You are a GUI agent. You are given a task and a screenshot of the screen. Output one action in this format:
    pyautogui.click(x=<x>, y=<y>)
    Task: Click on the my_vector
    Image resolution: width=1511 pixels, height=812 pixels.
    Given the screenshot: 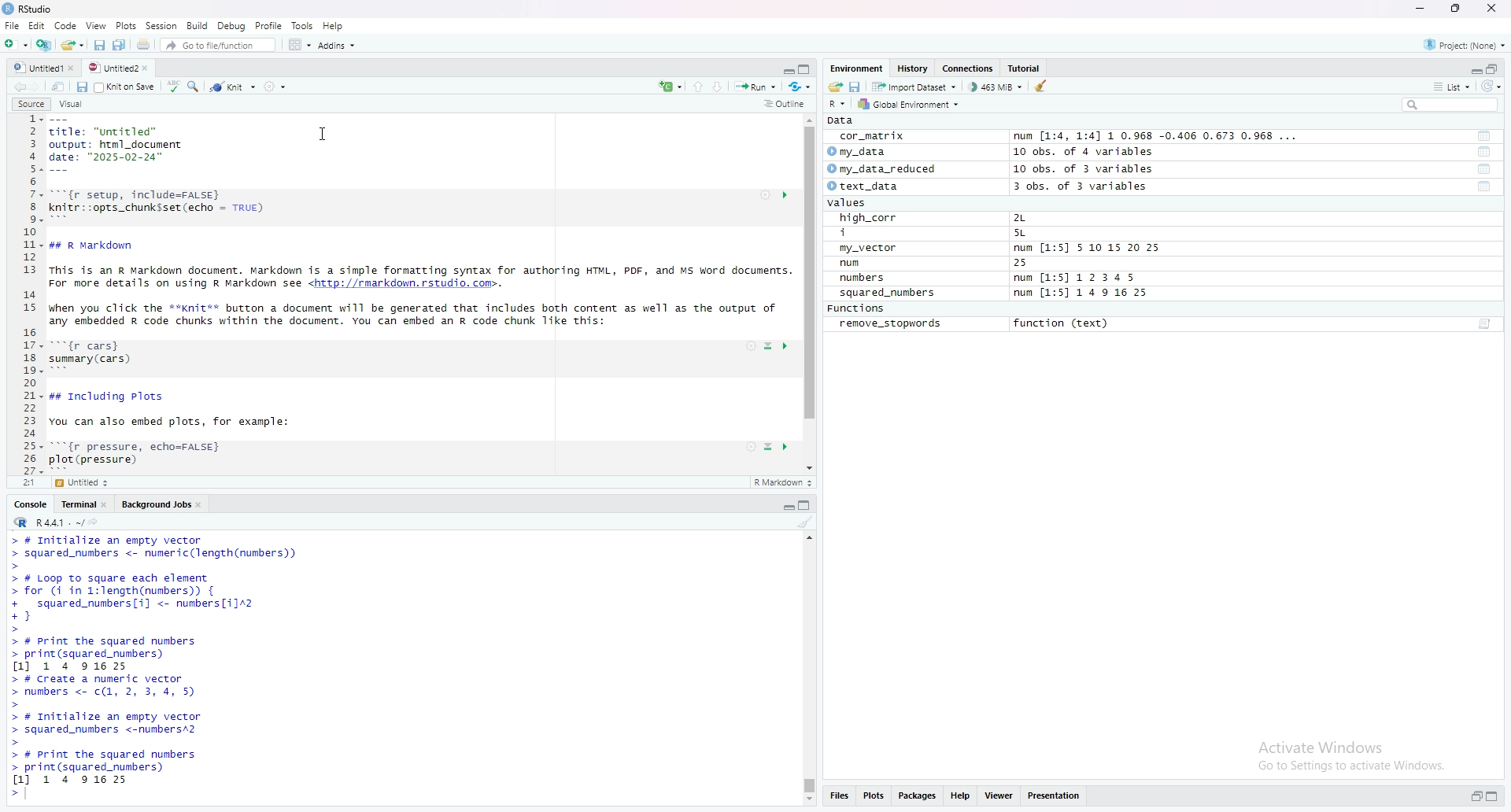 What is the action you would take?
    pyautogui.click(x=871, y=248)
    